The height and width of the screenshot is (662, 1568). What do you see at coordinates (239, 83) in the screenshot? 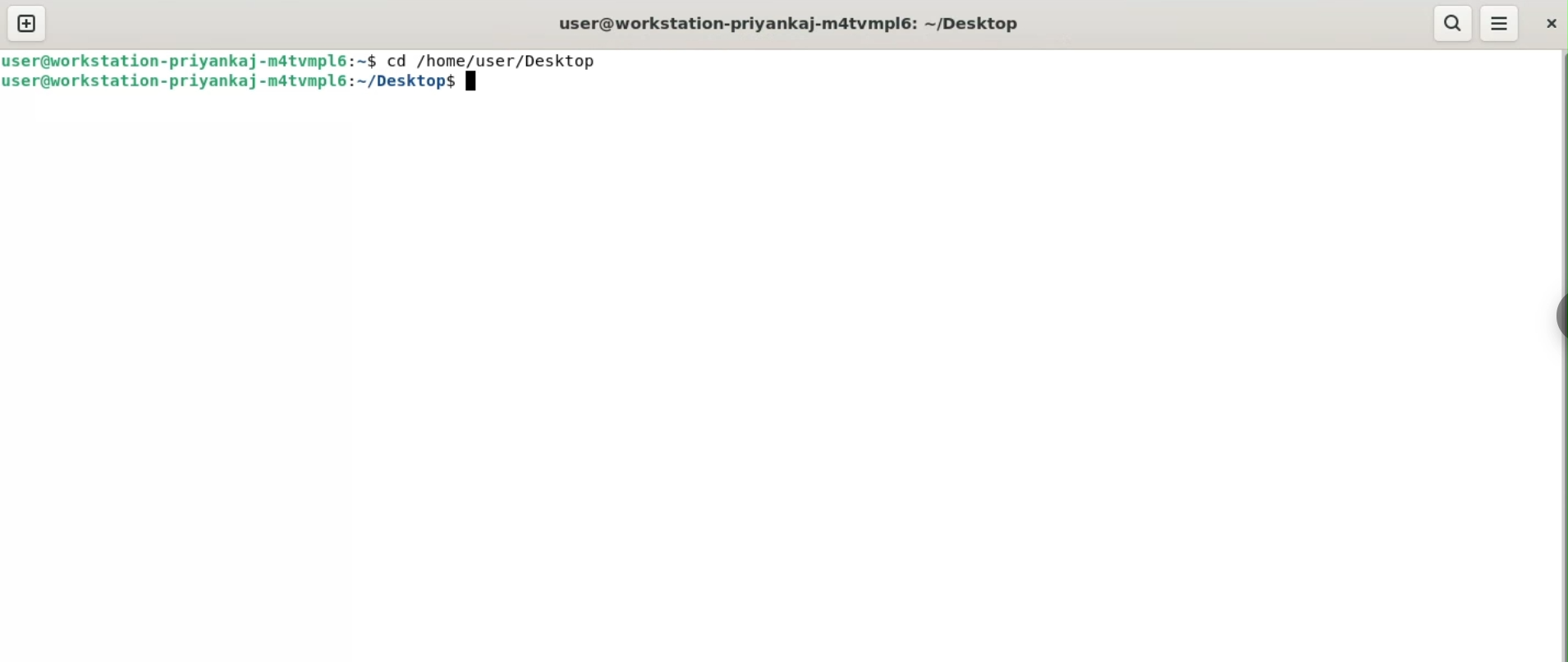
I see `user@workstation-priyankaj-m4tvmpl6:~$` at bounding box center [239, 83].